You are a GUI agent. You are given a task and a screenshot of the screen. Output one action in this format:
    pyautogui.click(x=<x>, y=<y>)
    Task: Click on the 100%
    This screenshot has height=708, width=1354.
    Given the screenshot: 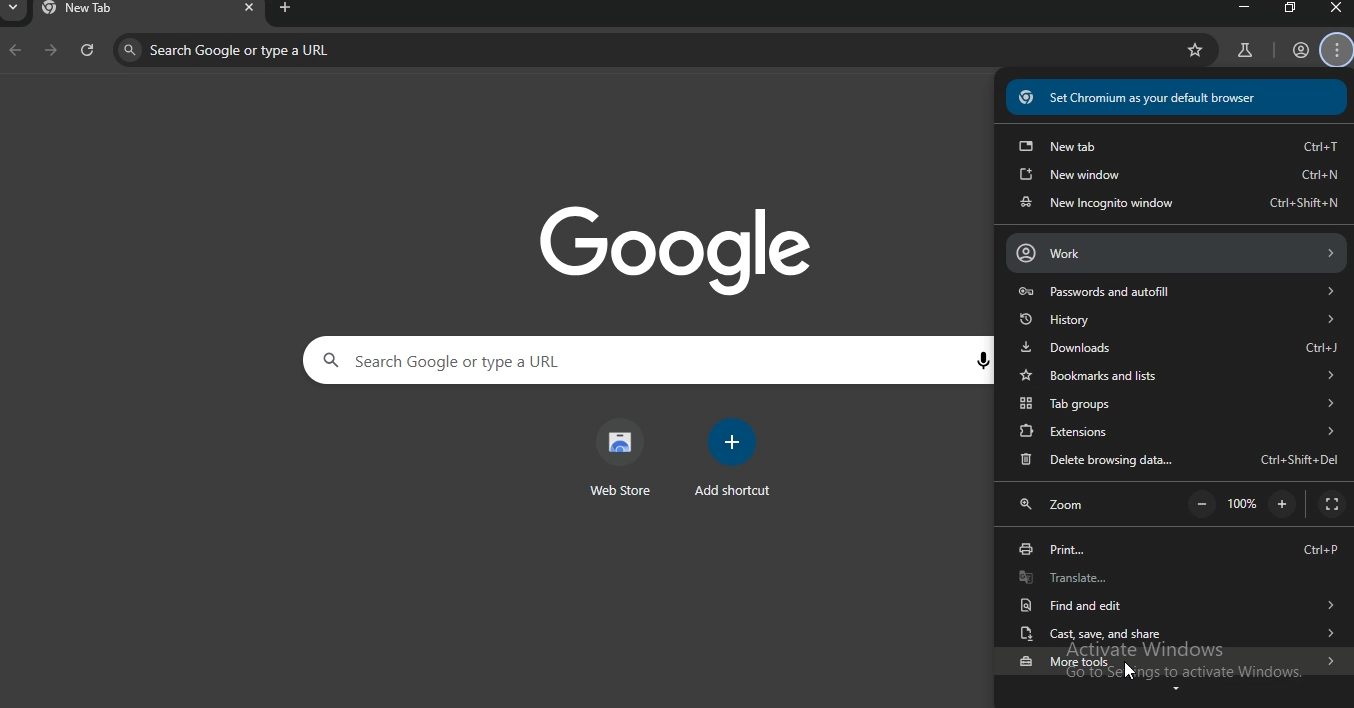 What is the action you would take?
    pyautogui.click(x=1242, y=504)
    